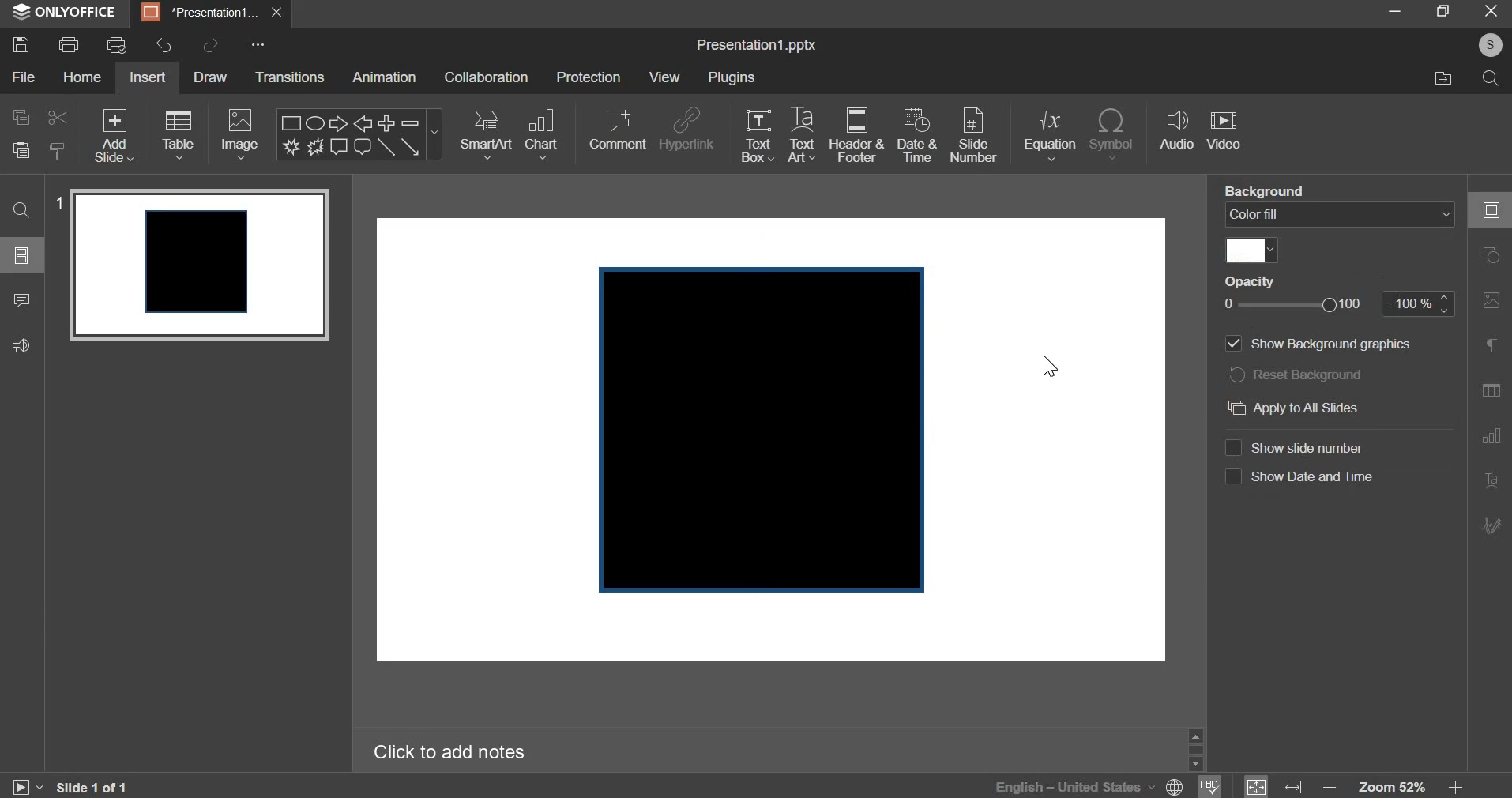  I want to click on Add Shape, so click(387, 123).